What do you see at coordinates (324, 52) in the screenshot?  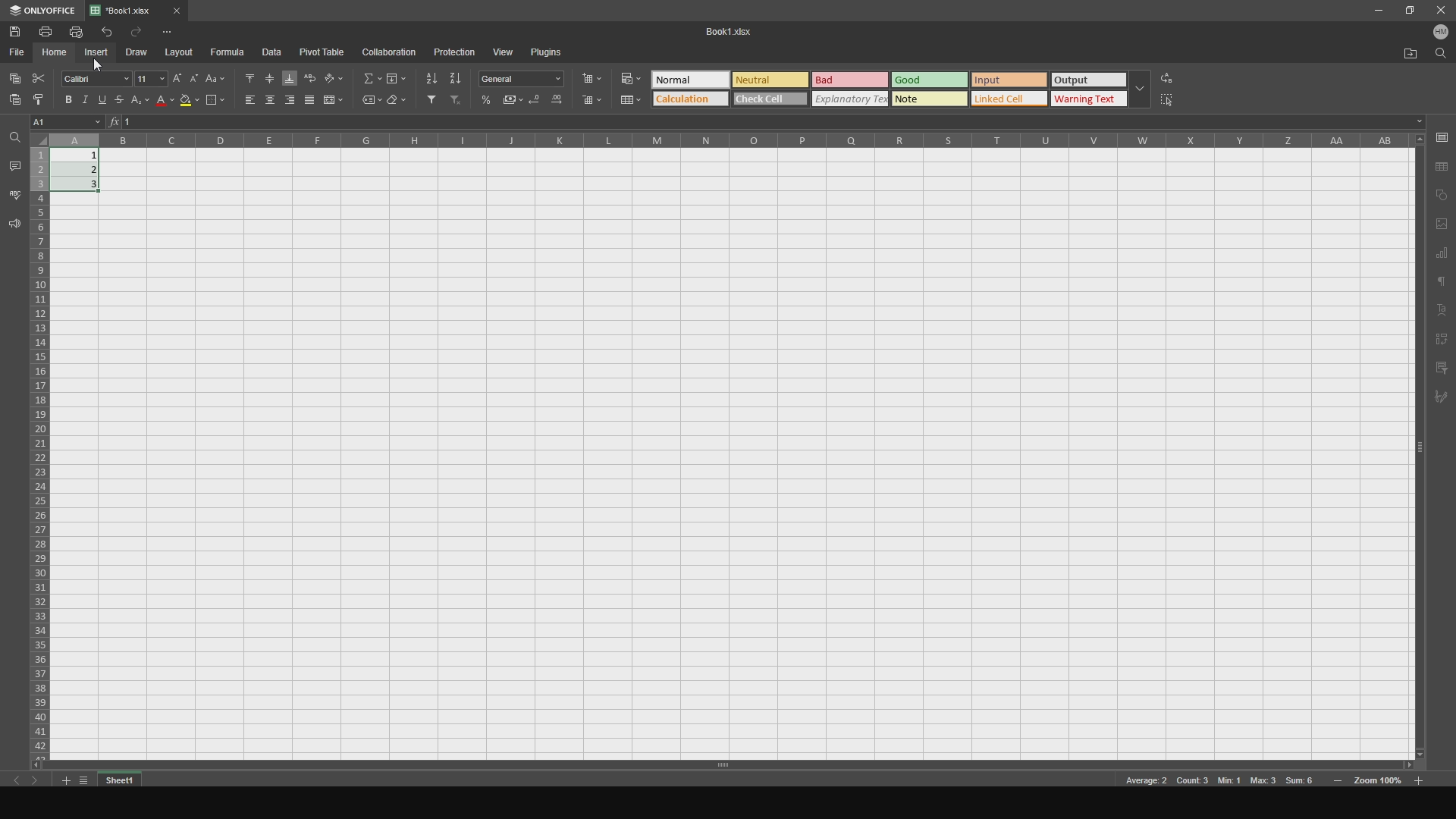 I see `pivot table` at bounding box center [324, 52].